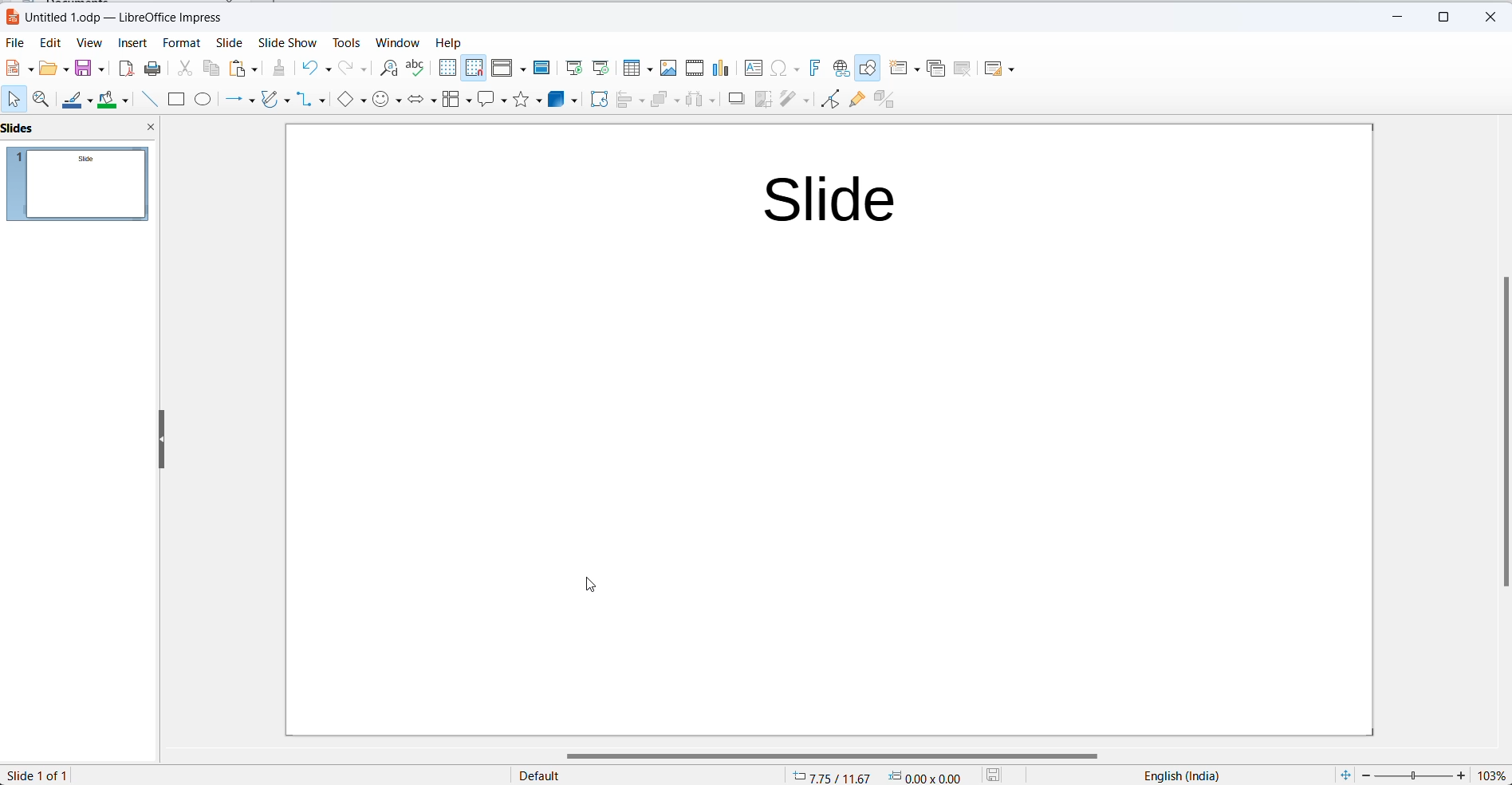 This screenshot has width=1512, height=785. I want to click on connectors, so click(312, 101).